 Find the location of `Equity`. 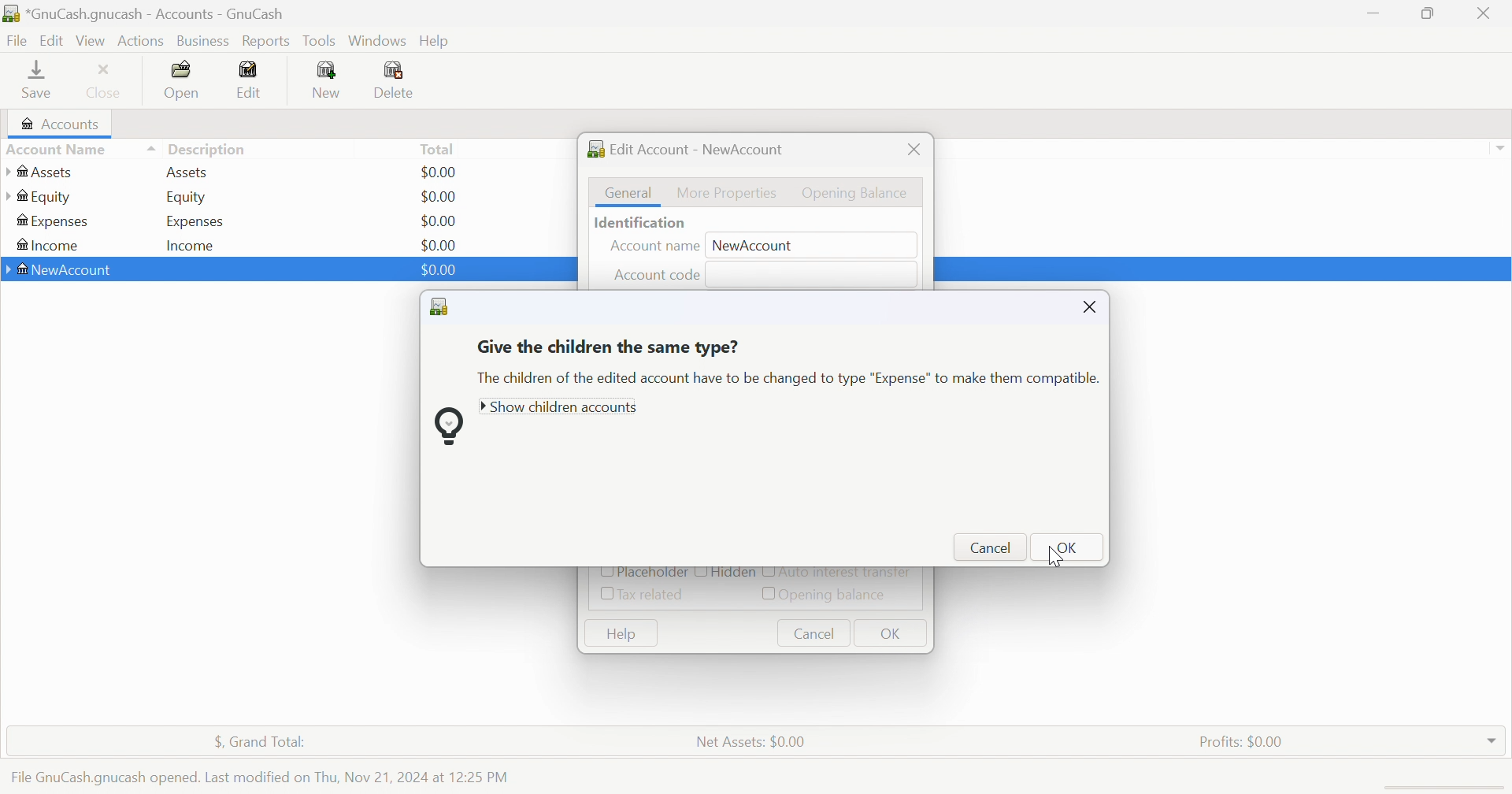

Equity is located at coordinates (39, 197).